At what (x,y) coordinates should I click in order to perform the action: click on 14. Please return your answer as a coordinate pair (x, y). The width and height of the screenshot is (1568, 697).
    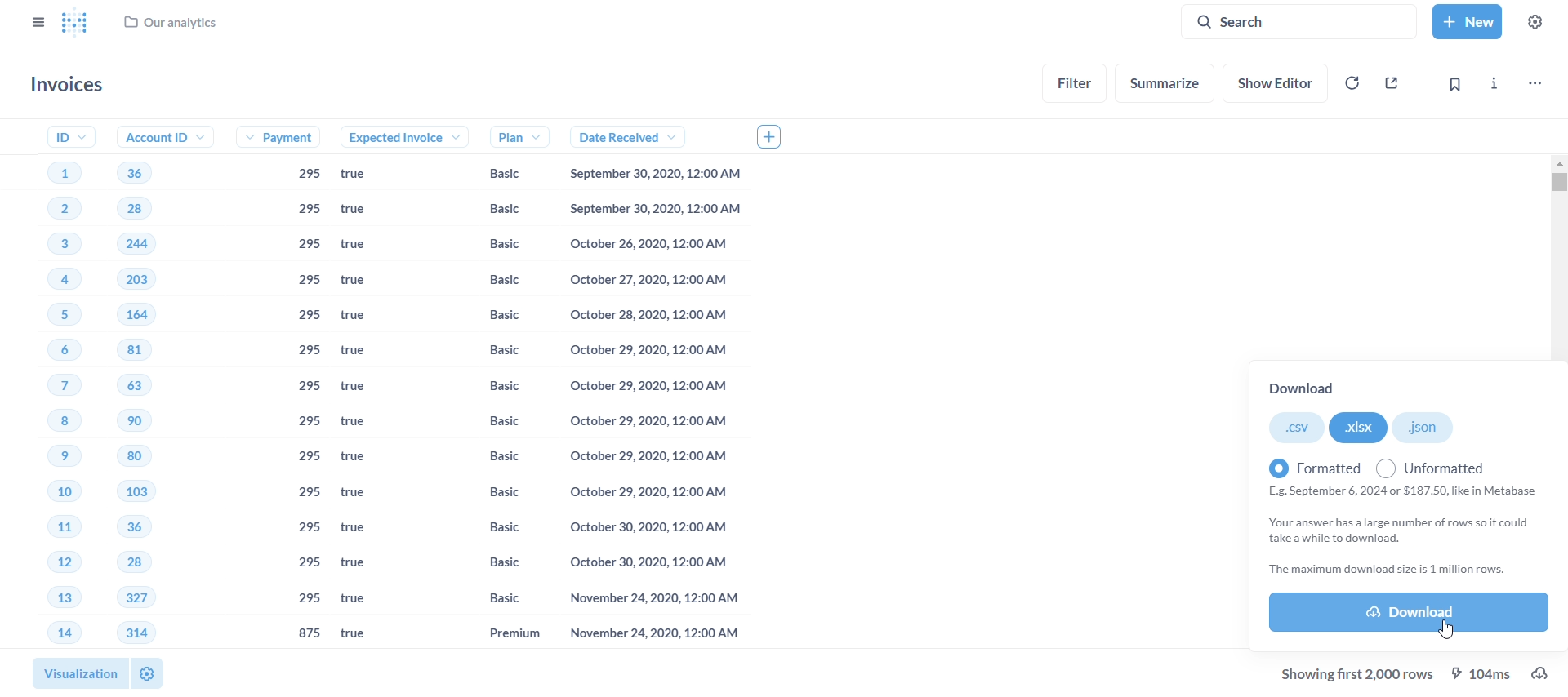
    Looking at the image, I should click on (52, 633).